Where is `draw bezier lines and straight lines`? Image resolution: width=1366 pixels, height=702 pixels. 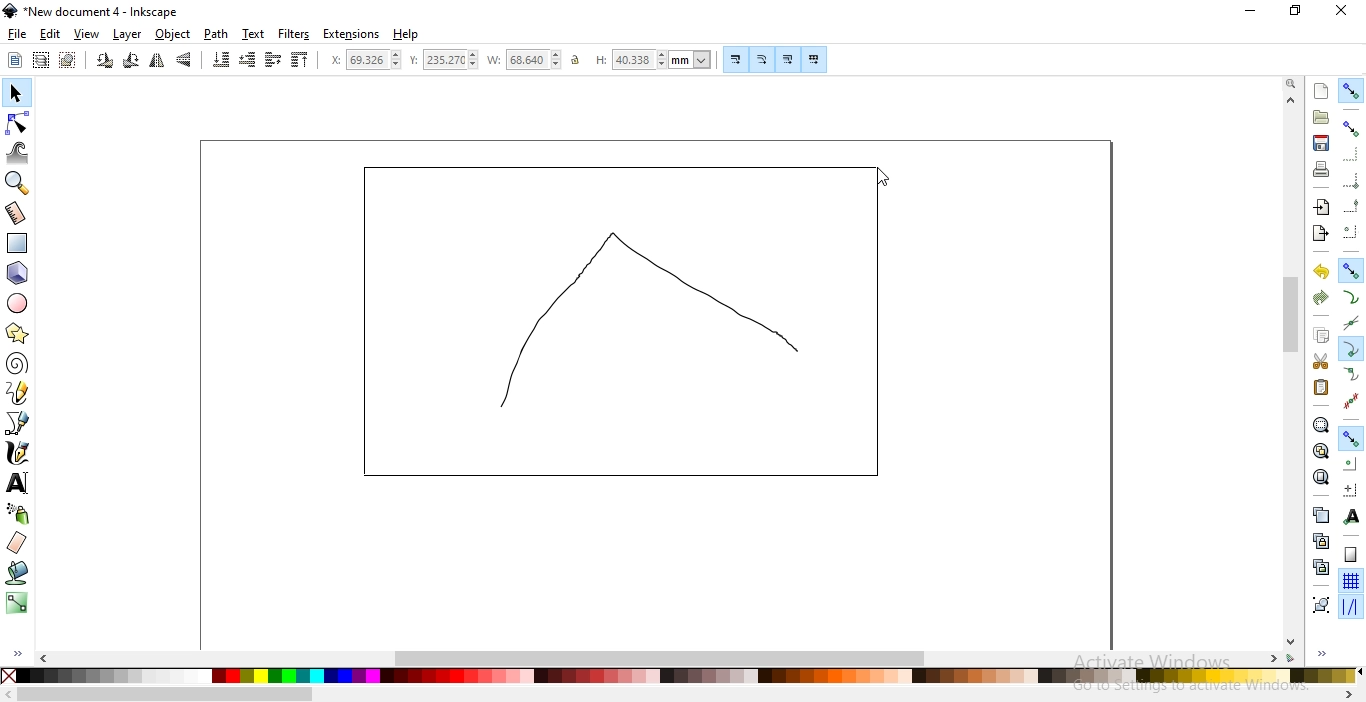 draw bezier lines and straight lines is located at coordinates (18, 423).